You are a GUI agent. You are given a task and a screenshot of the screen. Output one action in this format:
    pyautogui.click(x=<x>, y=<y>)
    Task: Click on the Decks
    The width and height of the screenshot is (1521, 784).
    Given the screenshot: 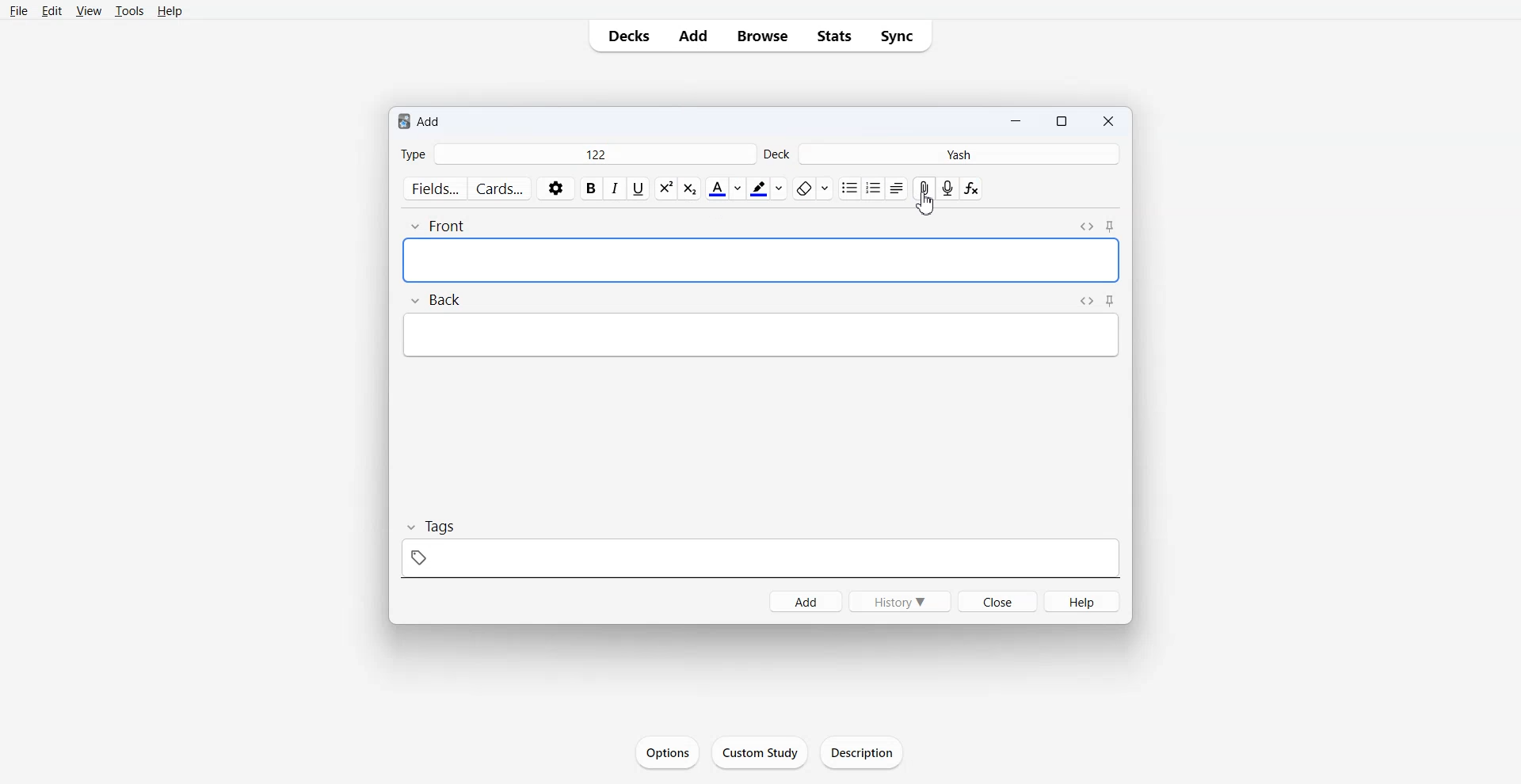 What is the action you would take?
    pyautogui.click(x=627, y=36)
    